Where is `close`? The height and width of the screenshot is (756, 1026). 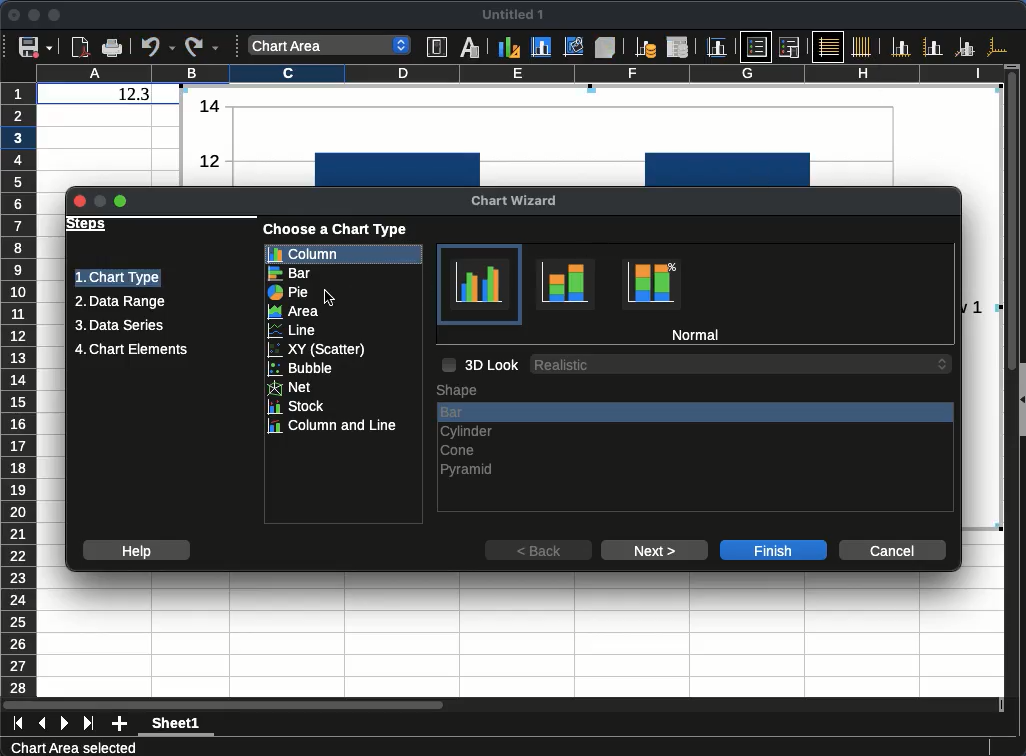
close is located at coordinates (13, 14).